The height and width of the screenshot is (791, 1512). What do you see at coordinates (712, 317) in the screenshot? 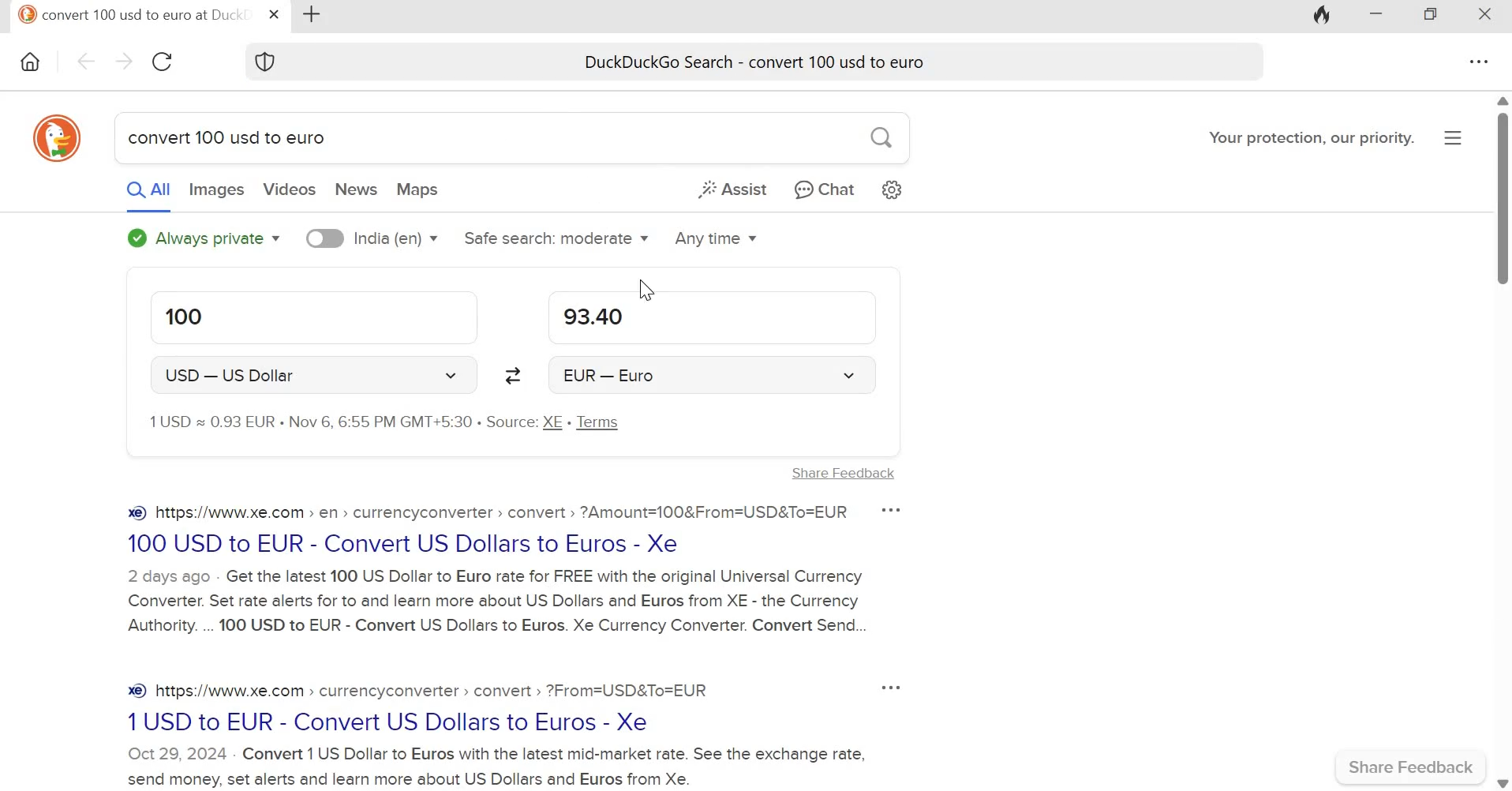
I see `93.40` at bounding box center [712, 317].